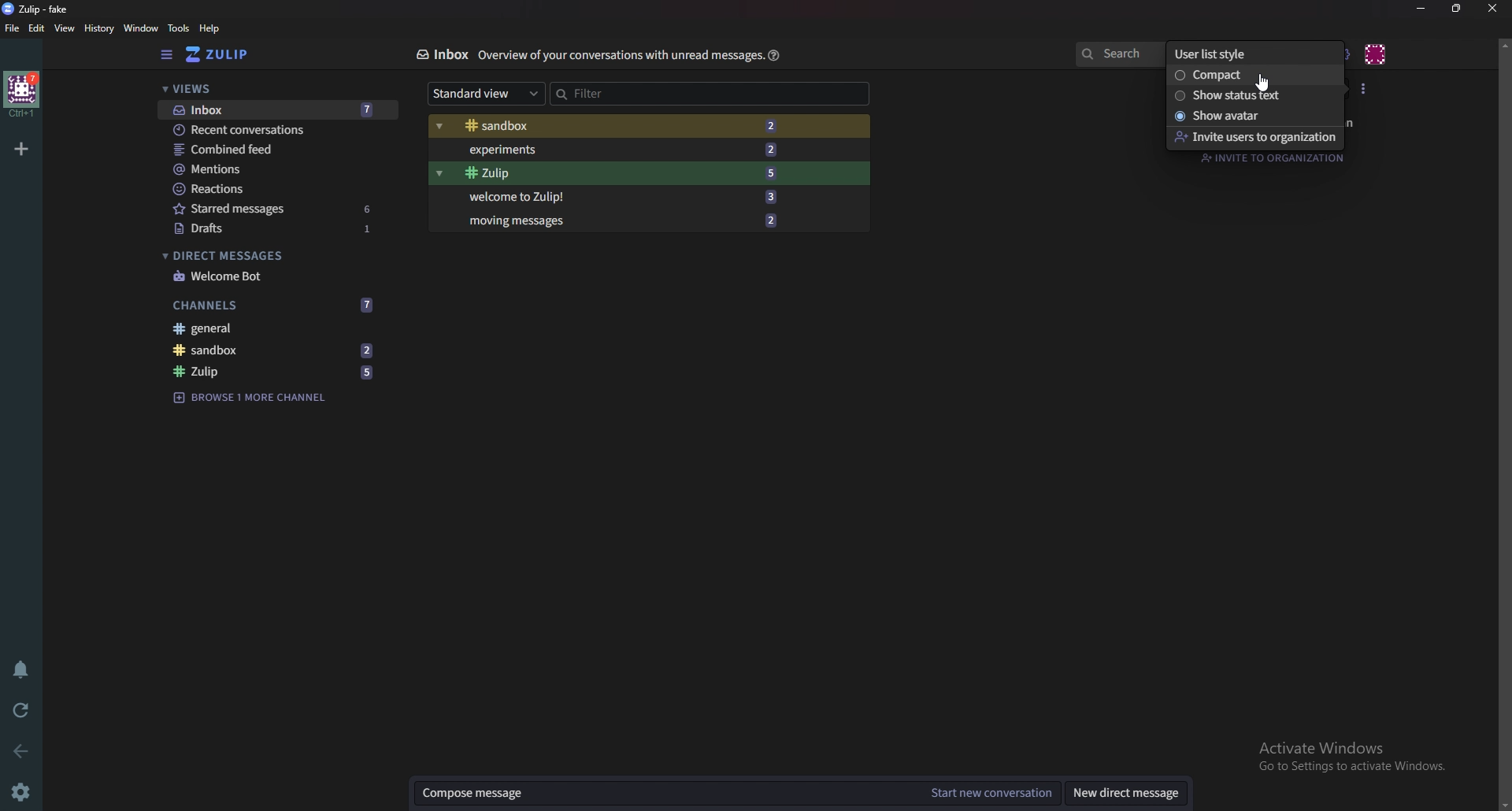 This screenshot has width=1512, height=811. What do you see at coordinates (667, 793) in the screenshot?
I see `Compose message` at bounding box center [667, 793].